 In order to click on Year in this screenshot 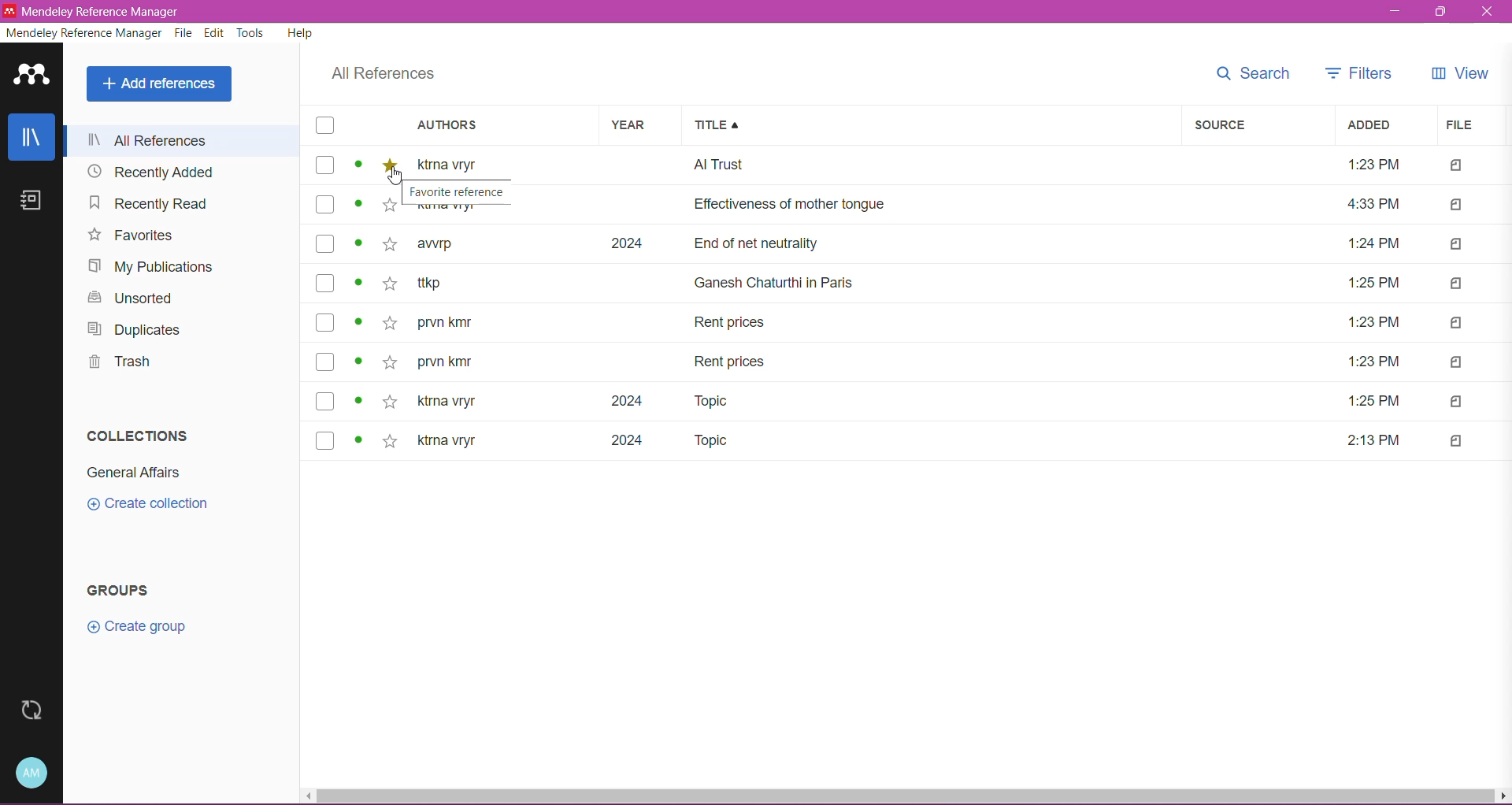, I will do `click(633, 125)`.